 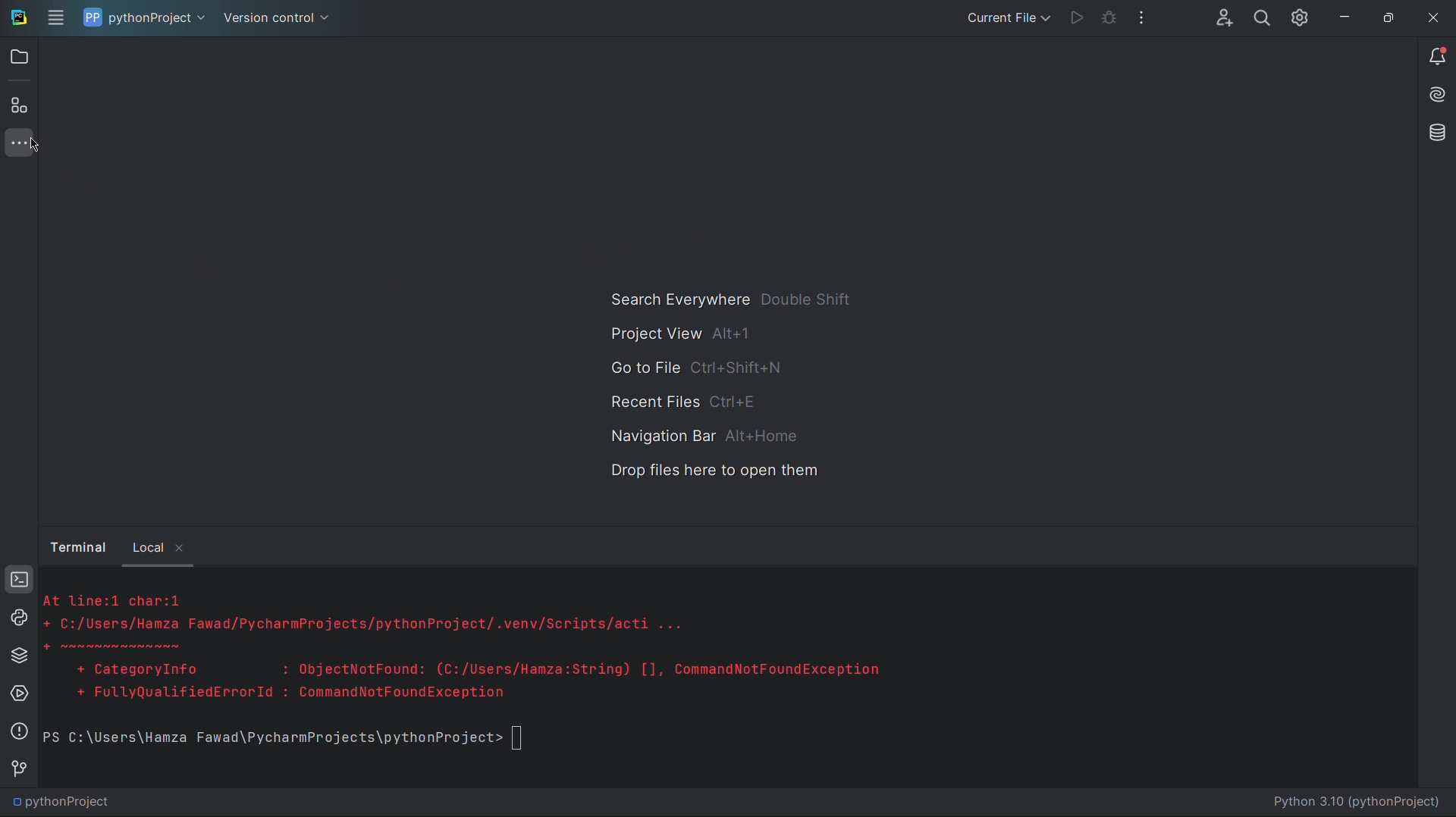 What do you see at coordinates (148, 546) in the screenshot?
I see `Local` at bounding box center [148, 546].